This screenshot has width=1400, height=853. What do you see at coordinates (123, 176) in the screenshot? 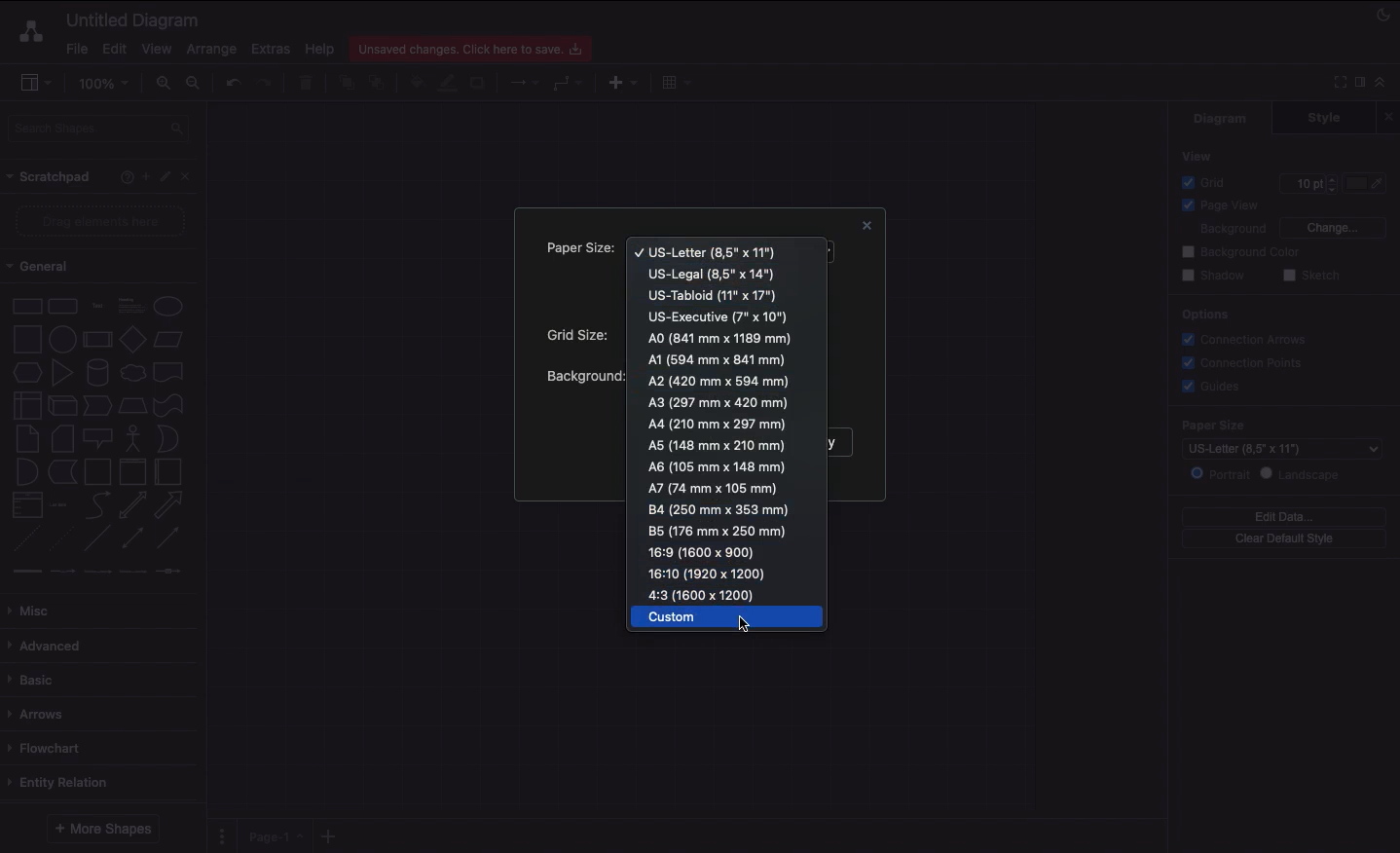
I see `Help` at bounding box center [123, 176].